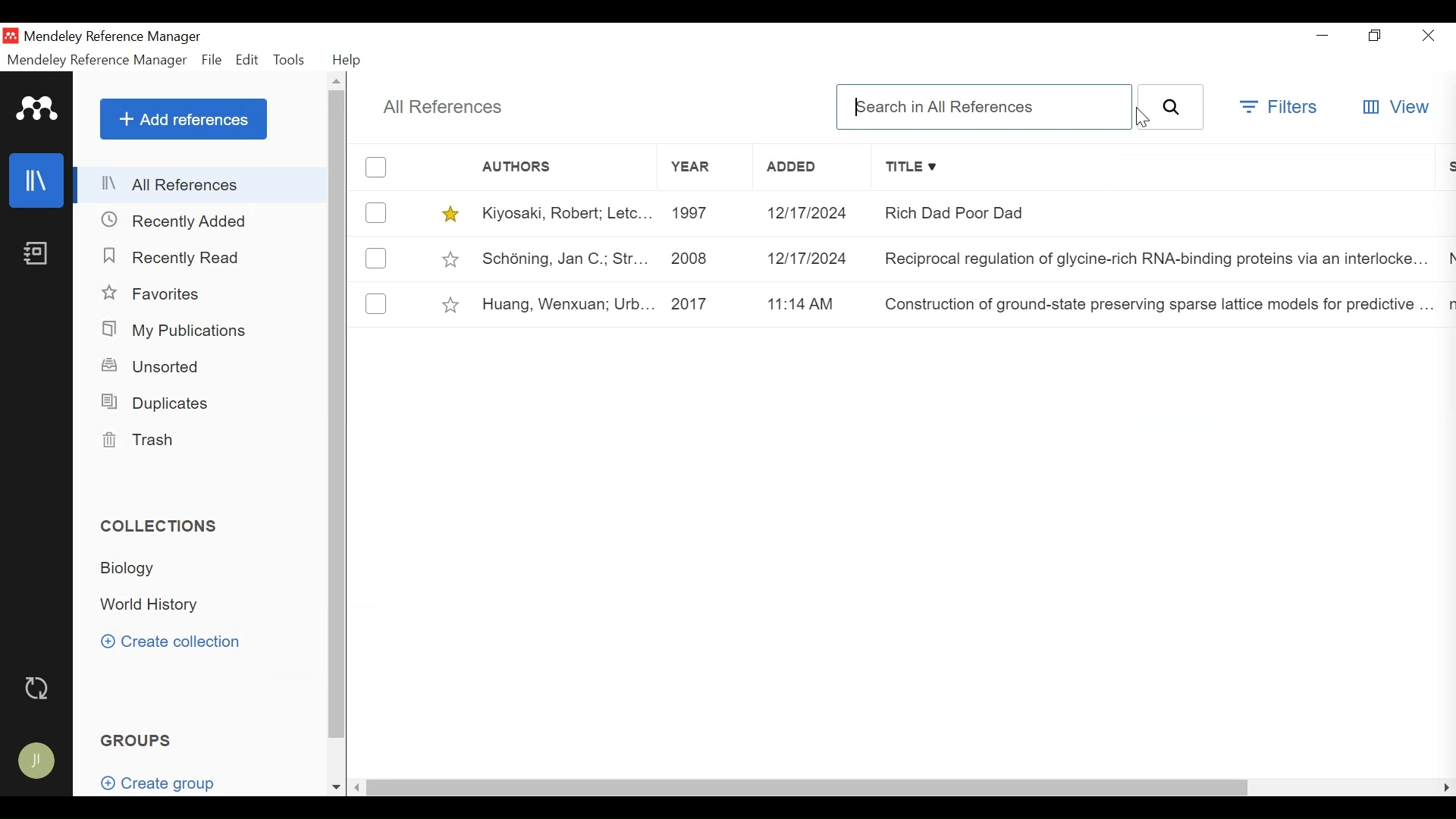 The width and height of the screenshot is (1456, 819). What do you see at coordinates (180, 221) in the screenshot?
I see `Recently Added` at bounding box center [180, 221].